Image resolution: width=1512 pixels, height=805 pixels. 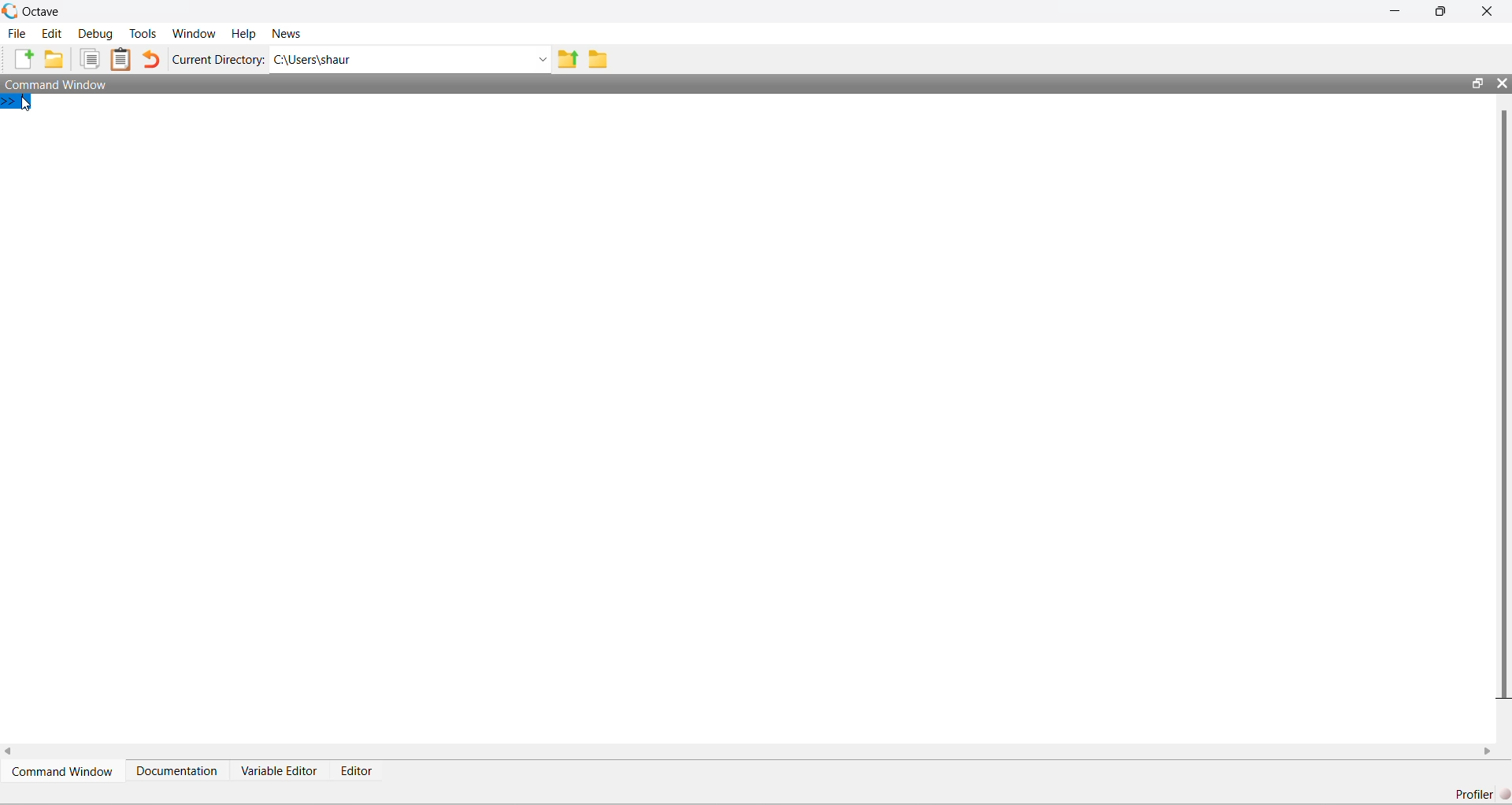 I want to click on Octave, so click(x=41, y=12).